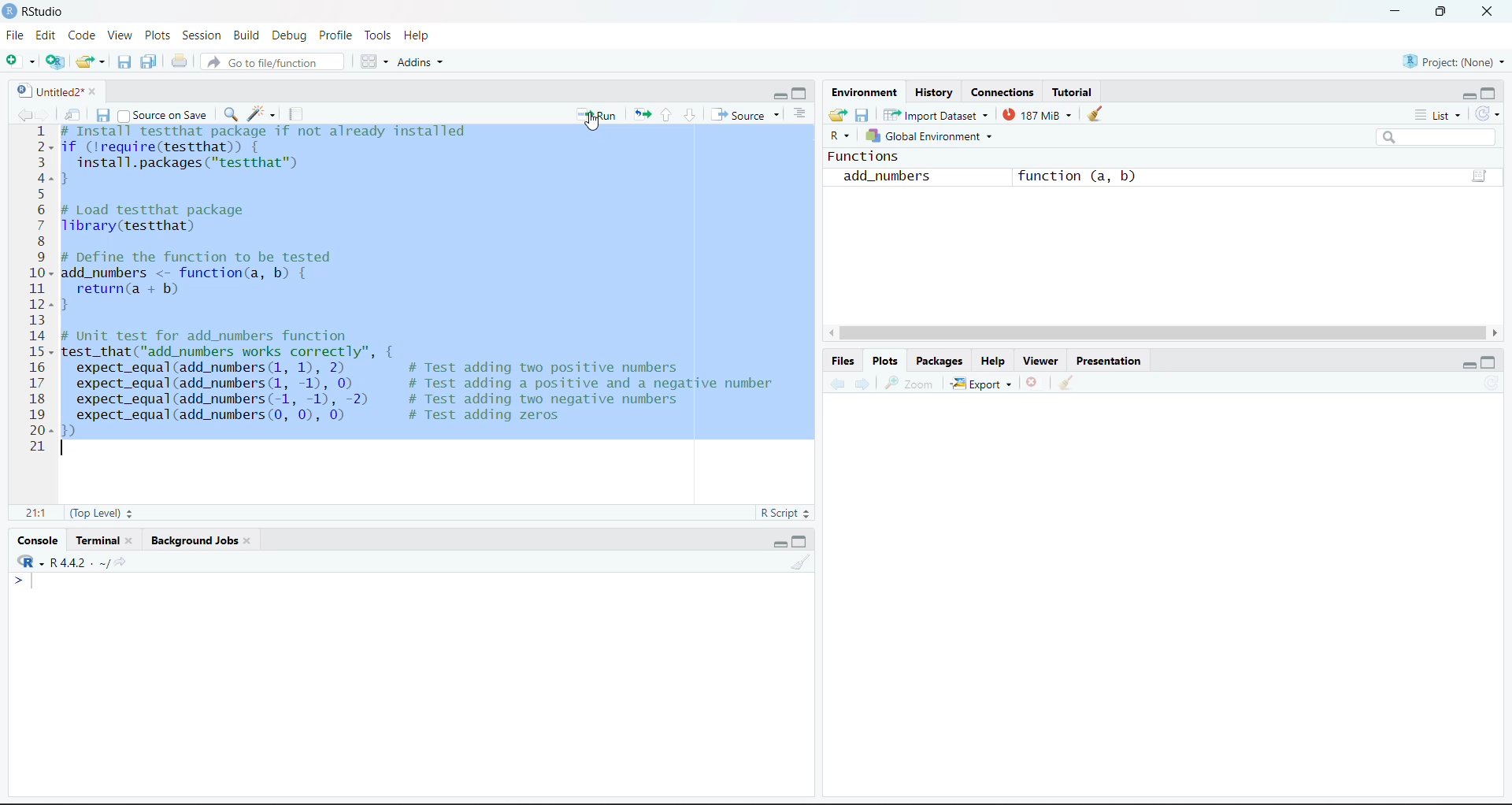 This screenshot has width=1512, height=805. Describe the element at coordinates (1066, 381) in the screenshot. I see `clear` at that location.